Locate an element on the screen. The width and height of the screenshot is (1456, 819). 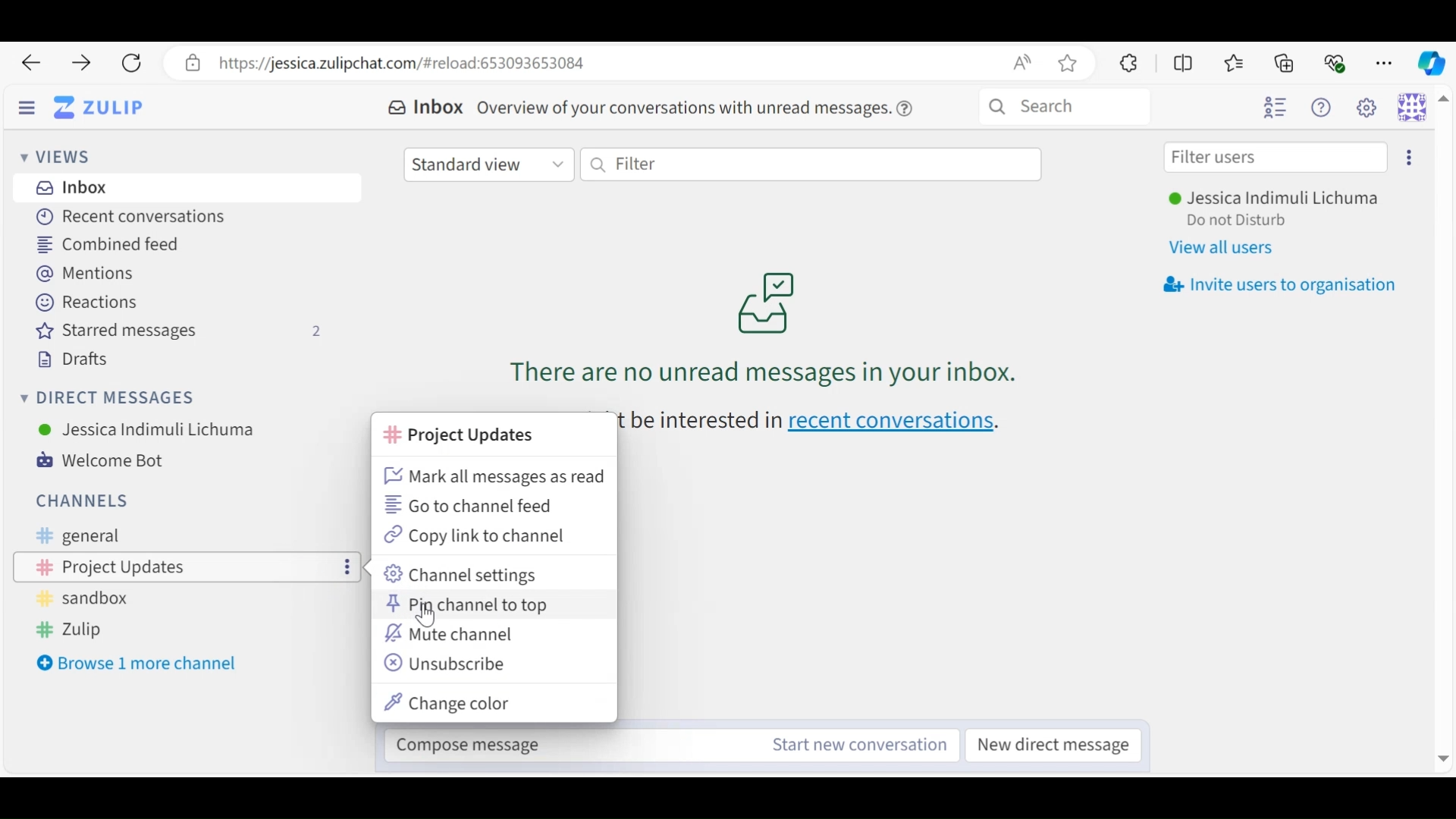
Views is located at coordinates (61, 158).